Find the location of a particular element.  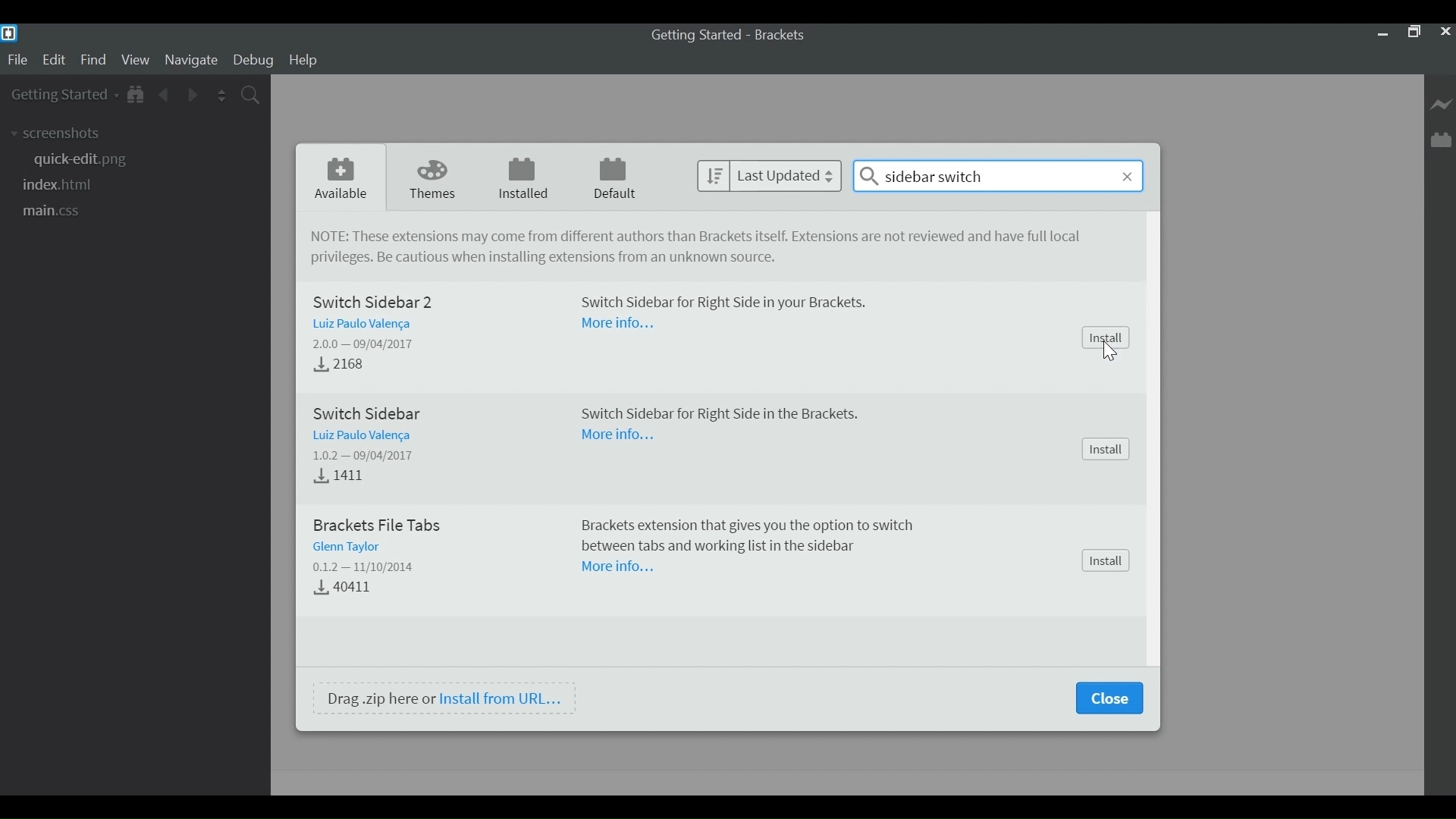

Install is located at coordinates (1106, 450).